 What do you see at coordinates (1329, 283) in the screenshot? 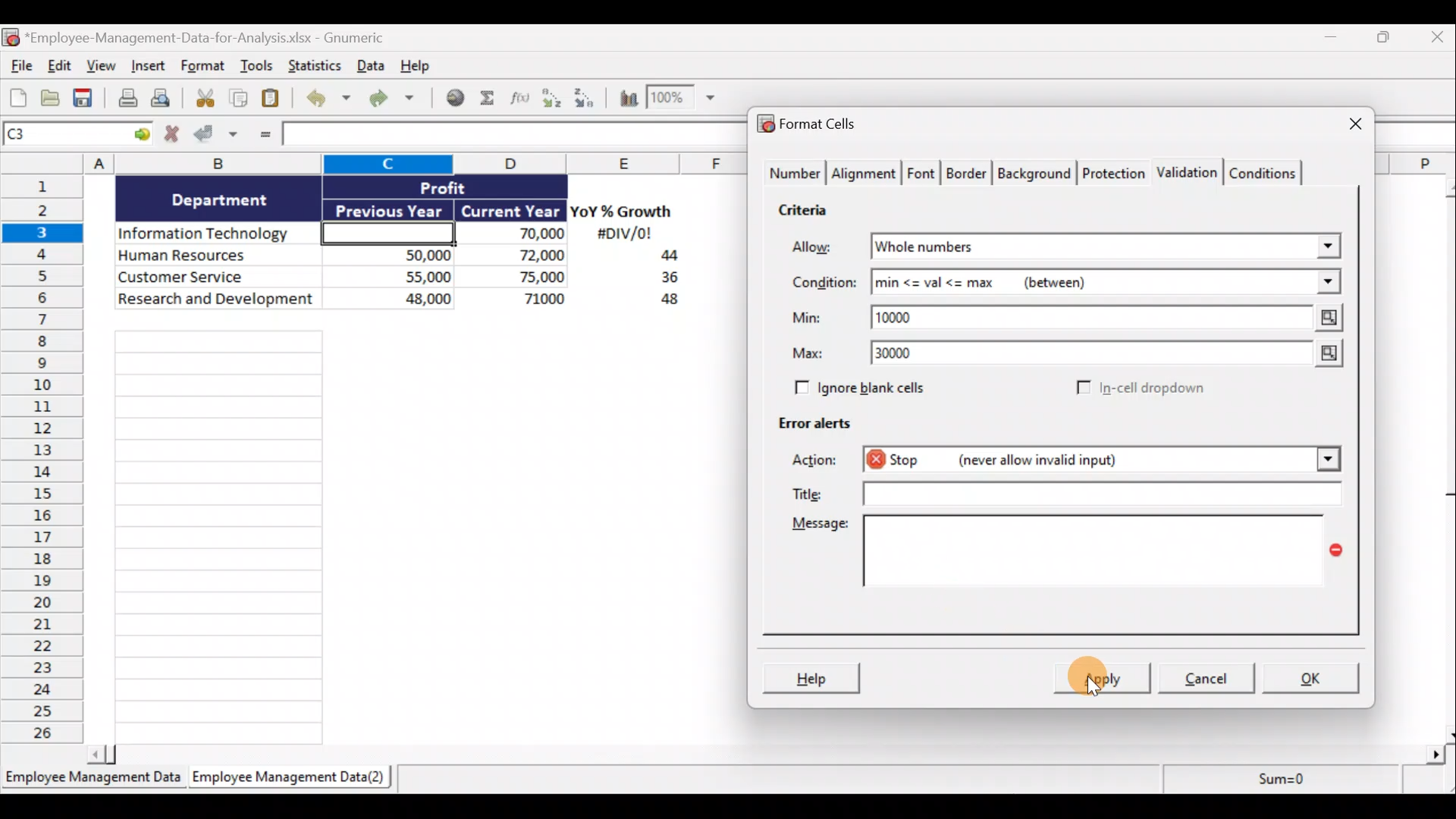
I see `Condition drop down` at bounding box center [1329, 283].